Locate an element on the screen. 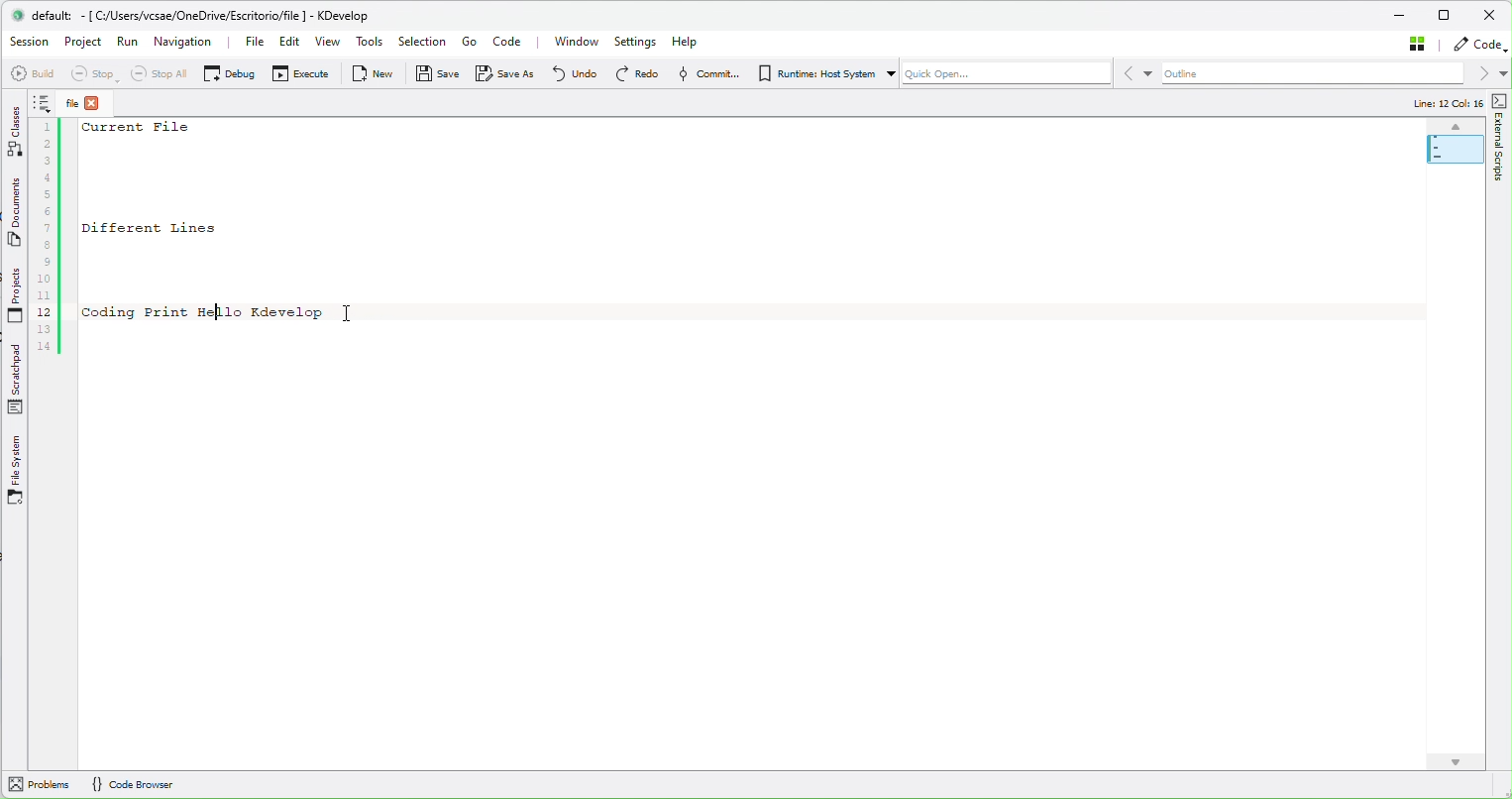 This screenshot has height=799, width=1512. Navigation is located at coordinates (186, 39).